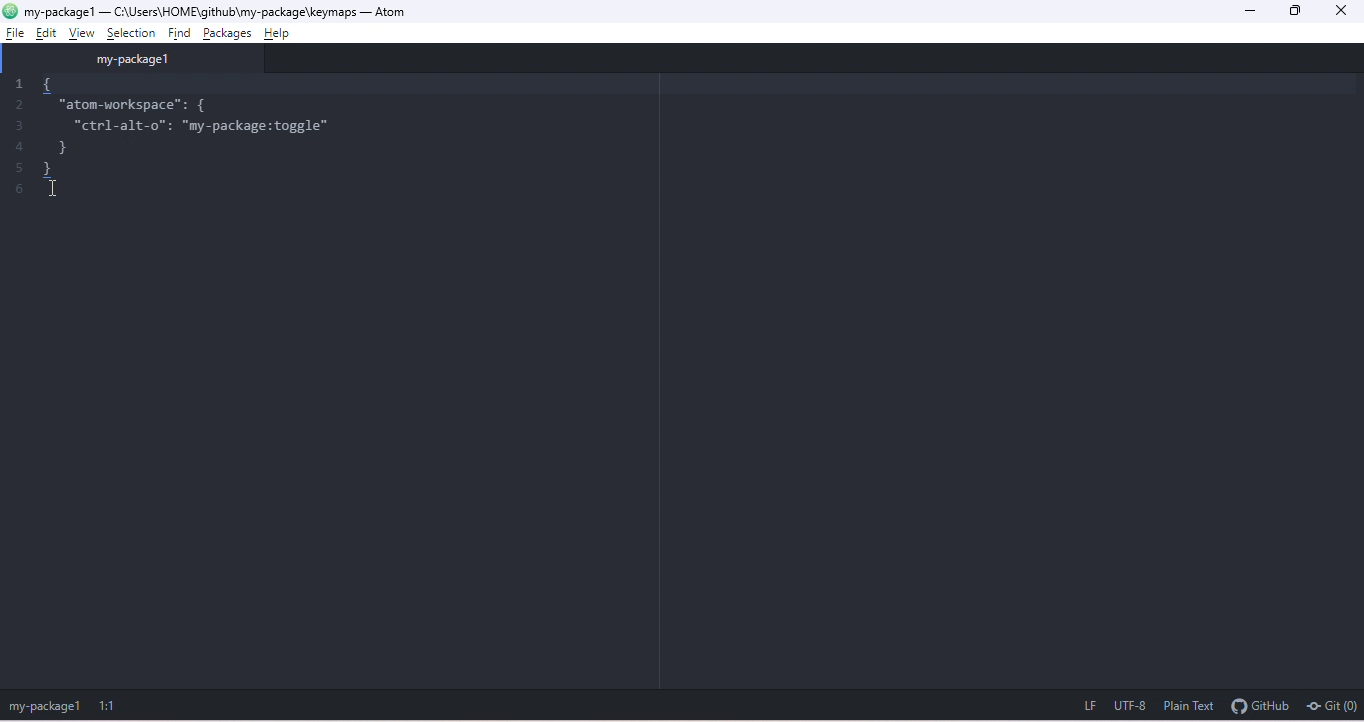 The height and width of the screenshot is (722, 1364). I want to click on selection, so click(133, 34).